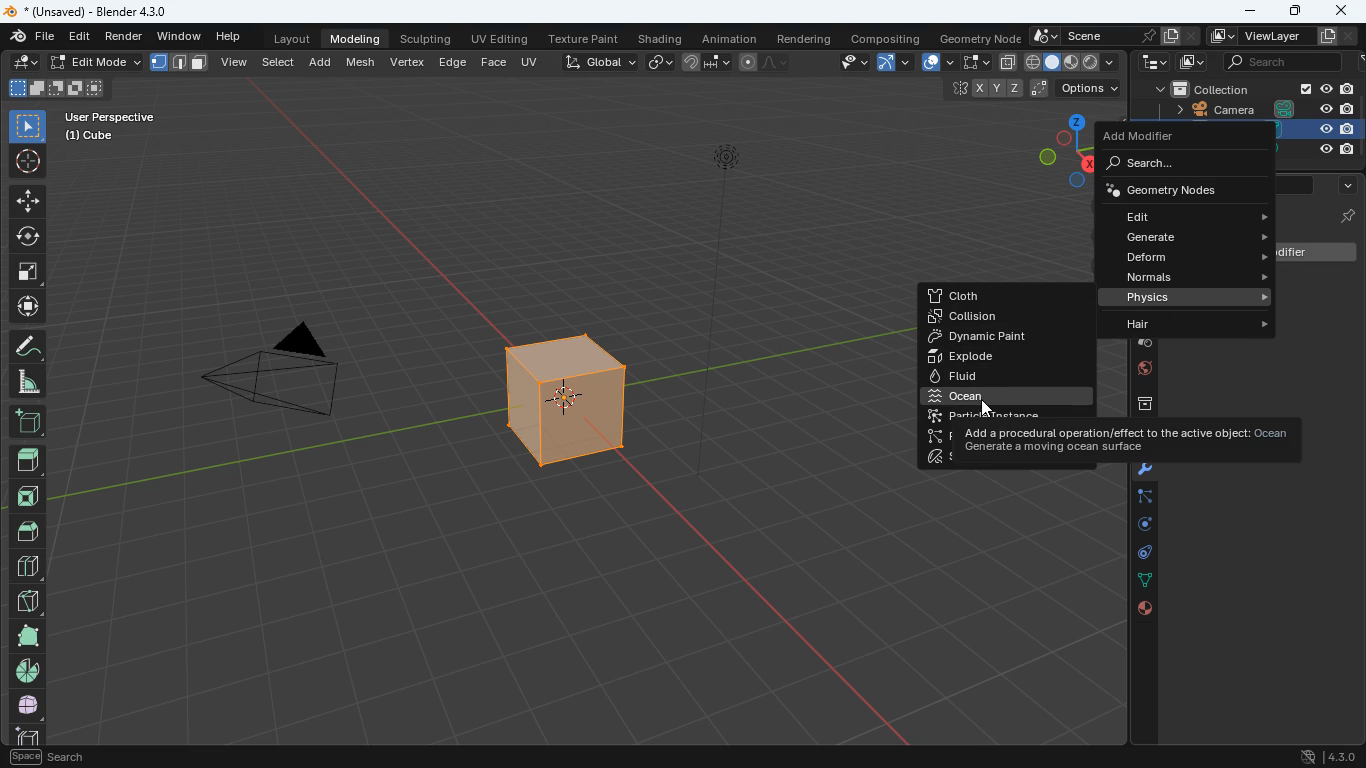  What do you see at coordinates (1002, 376) in the screenshot?
I see `fluid` at bounding box center [1002, 376].